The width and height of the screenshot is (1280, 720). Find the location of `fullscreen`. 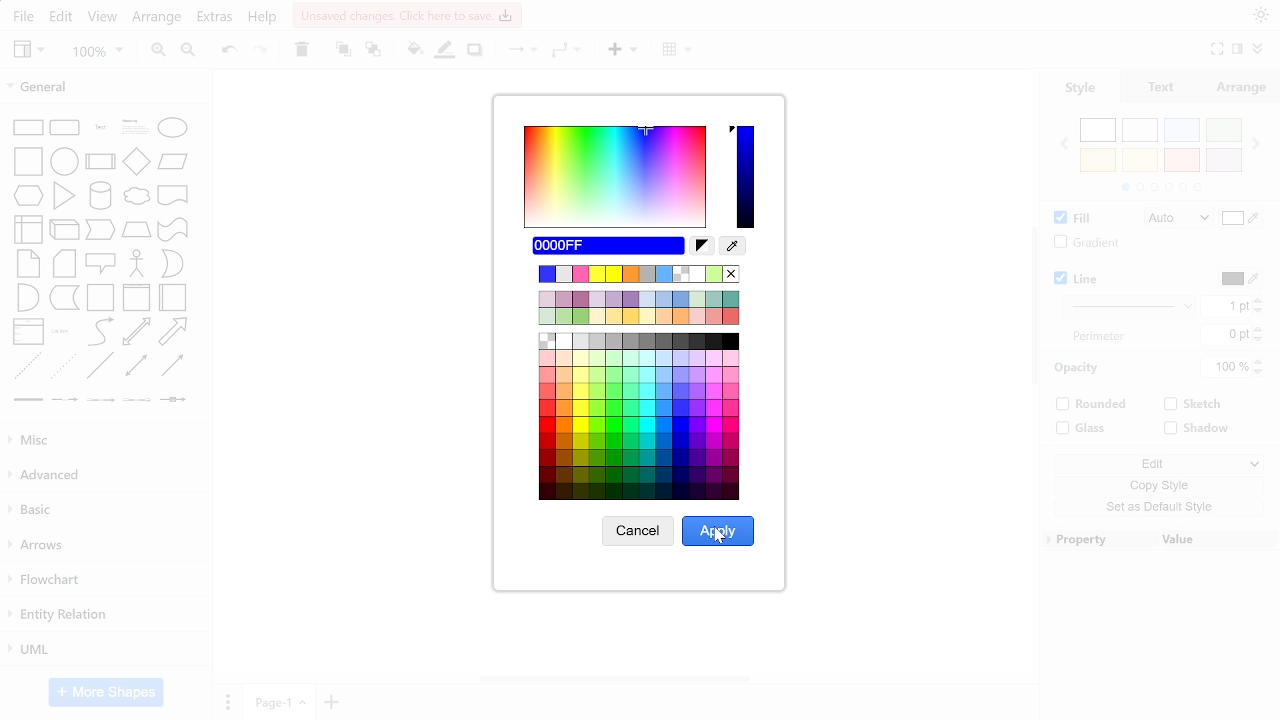

fullscreen is located at coordinates (1216, 50).